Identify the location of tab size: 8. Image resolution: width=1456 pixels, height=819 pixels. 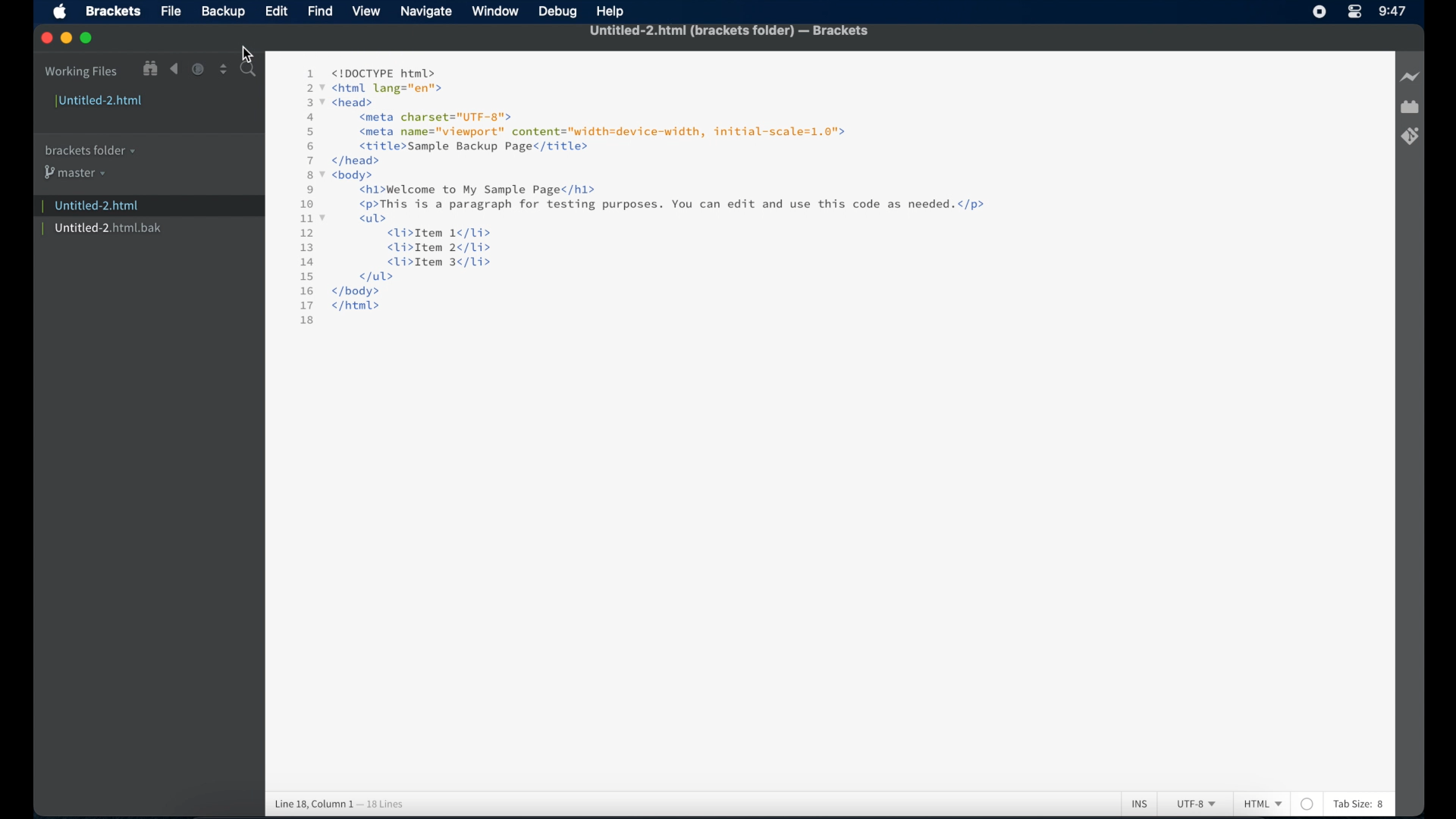
(1360, 804).